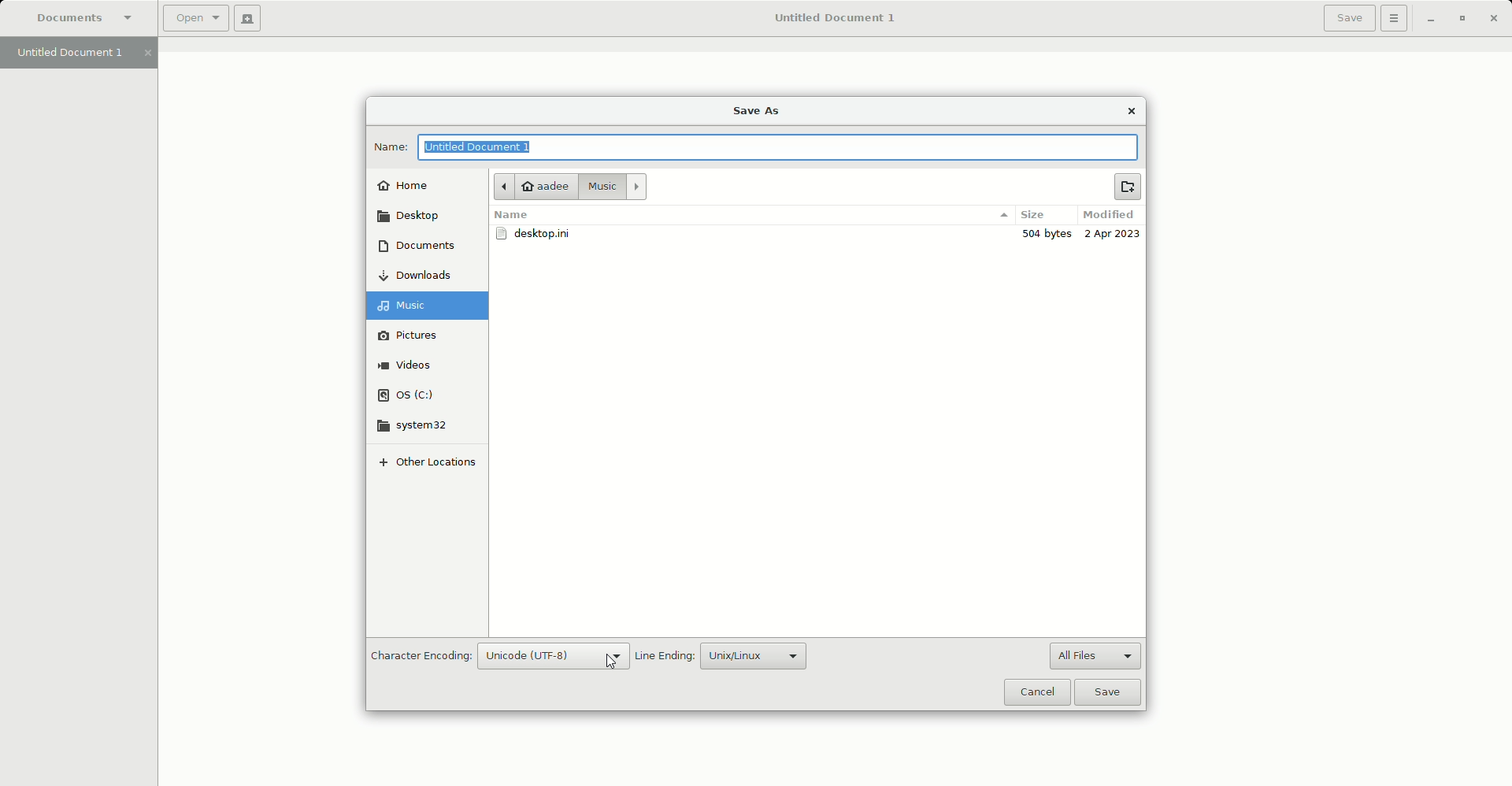 Image resolution: width=1512 pixels, height=786 pixels. I want to click on Desktop, so click(412, 217).